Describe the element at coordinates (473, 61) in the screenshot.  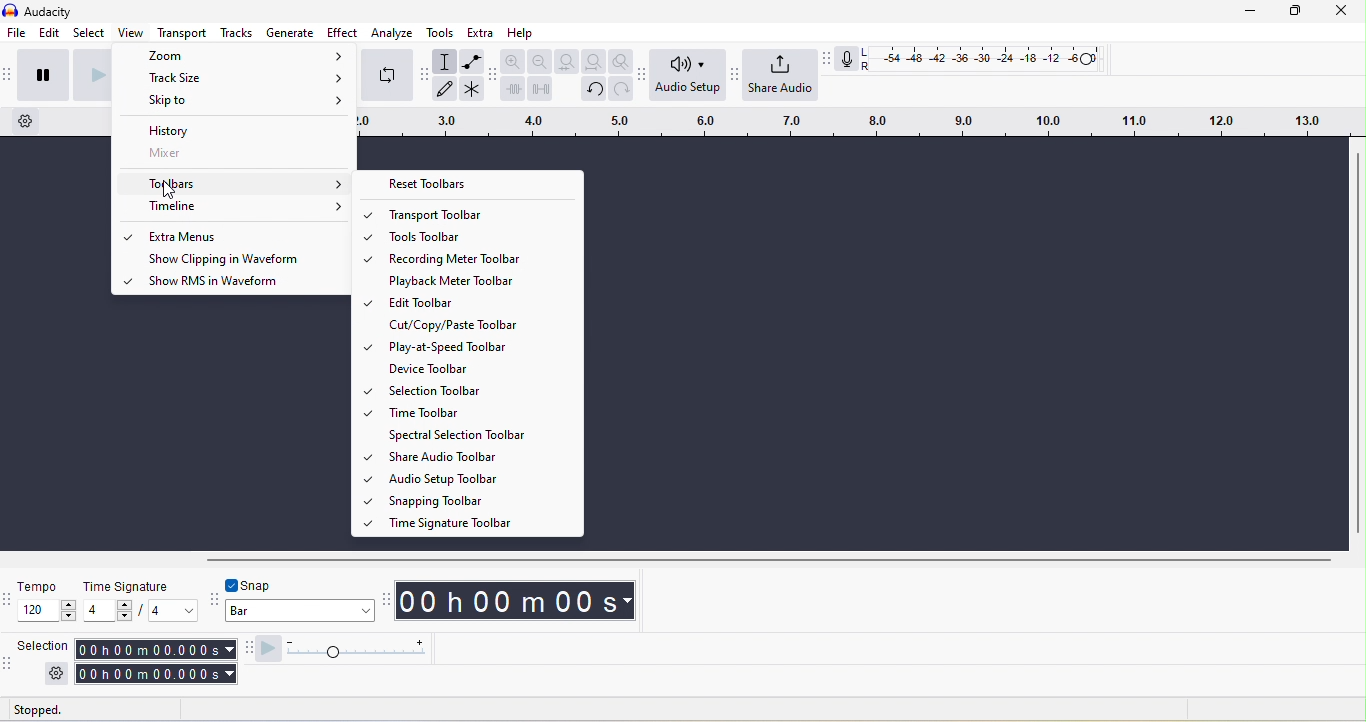
I see `envelop tool` at that location.